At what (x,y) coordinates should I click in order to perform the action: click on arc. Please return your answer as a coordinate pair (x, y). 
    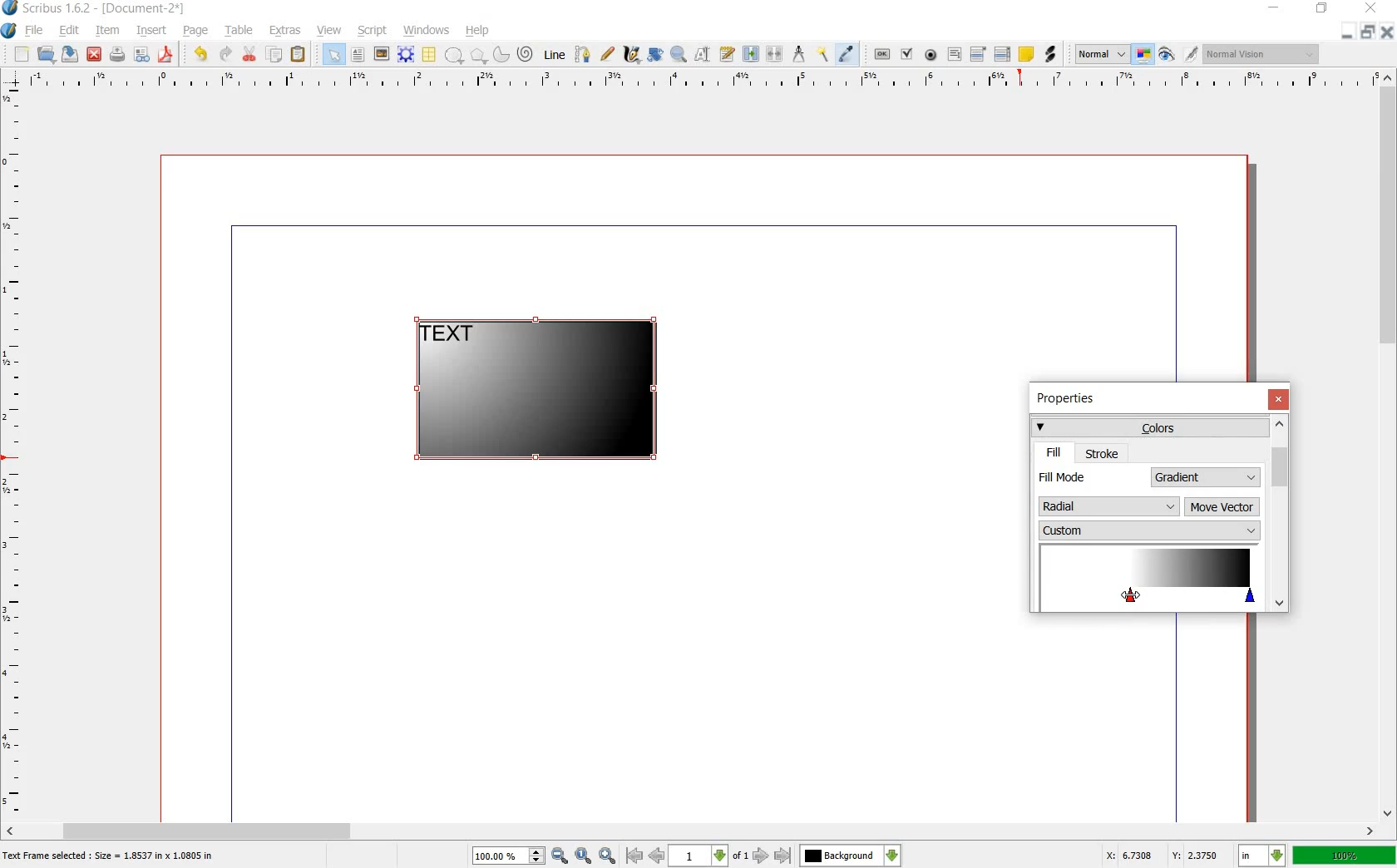
    Looking at the image, I should click on (500, 53).